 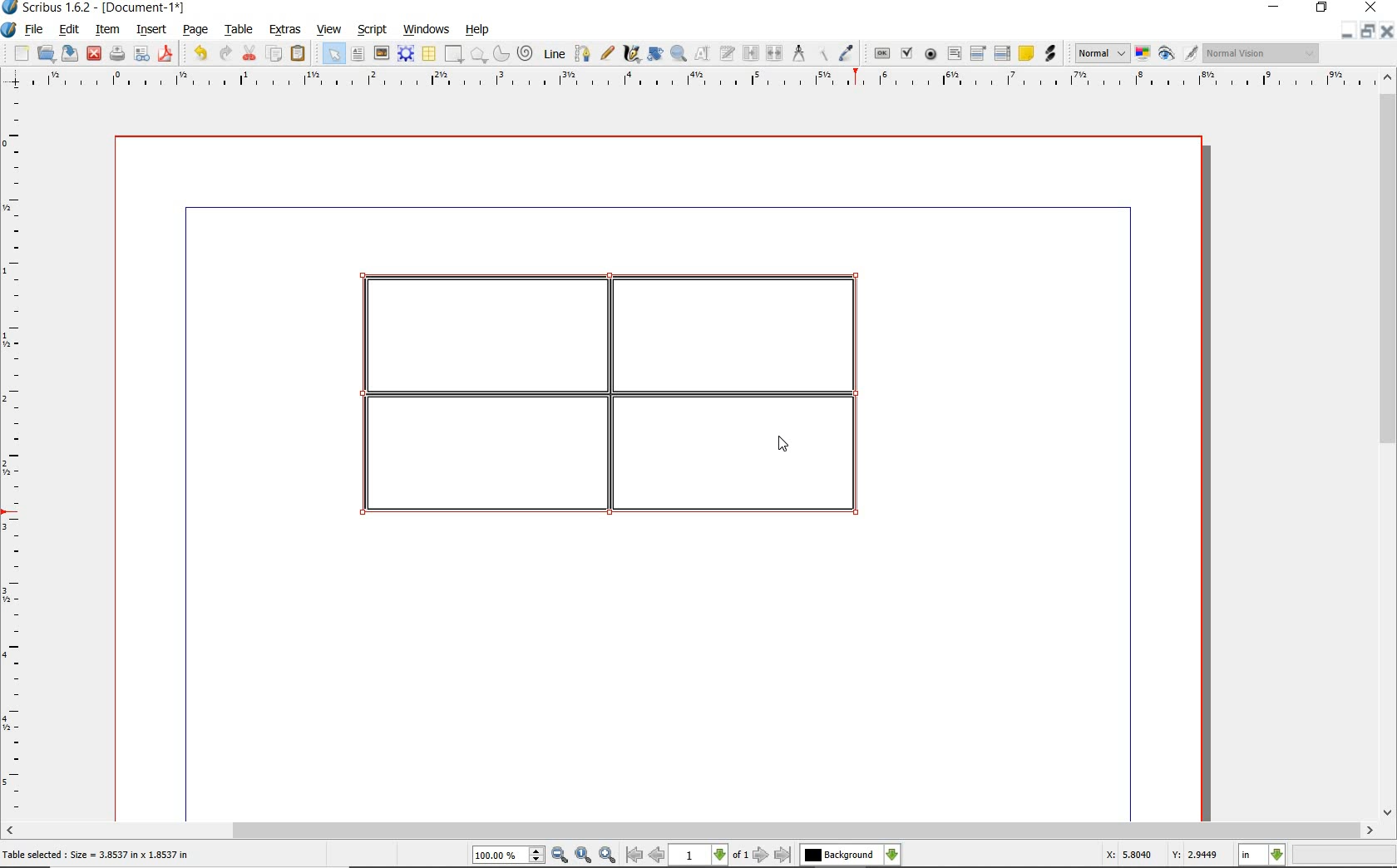 What do you see at coordinates (609, 54) in the screenshot?
I see `freehand line` at bounding box center [609, 54].